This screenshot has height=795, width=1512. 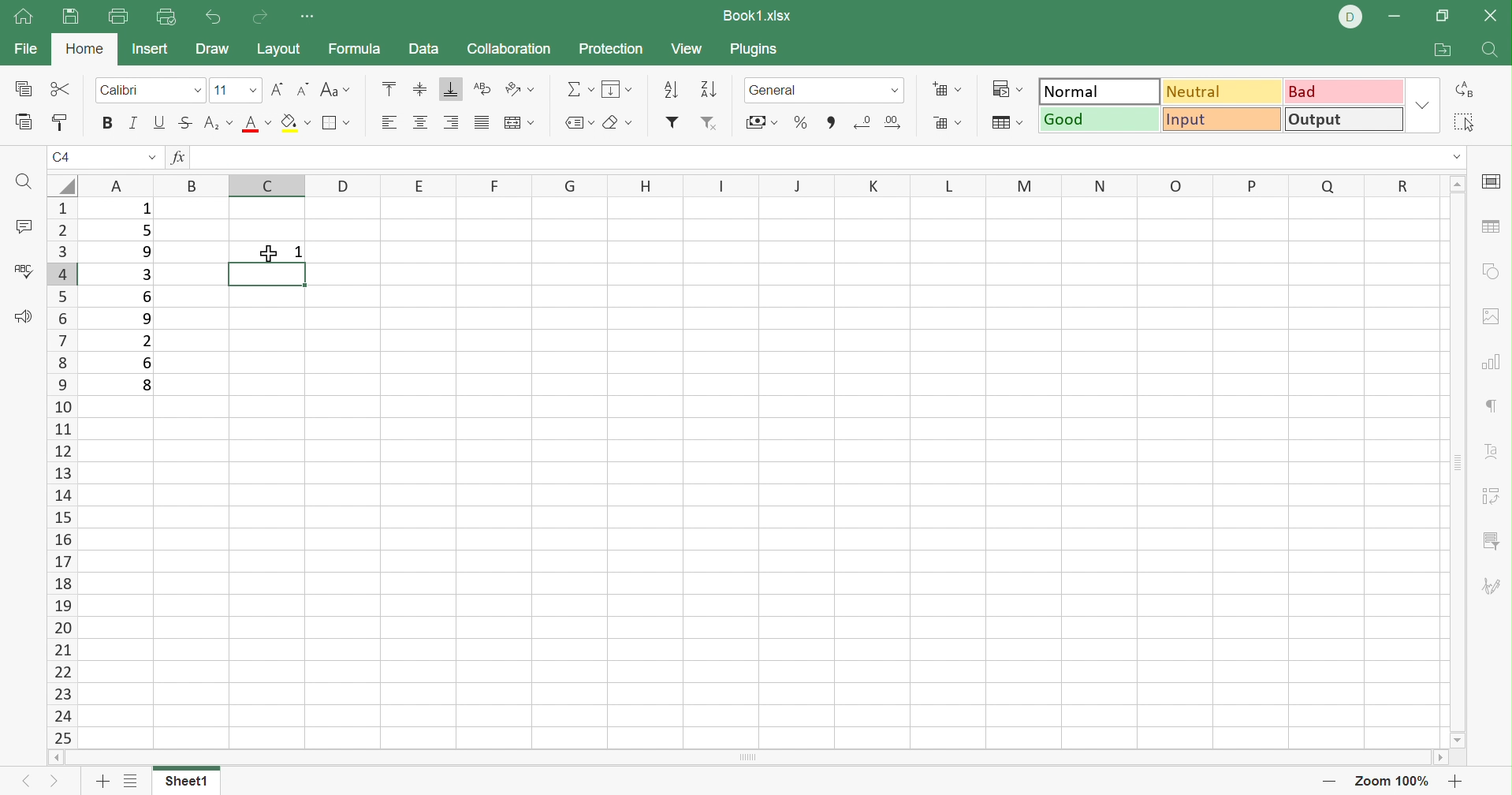 What do you see at coordinates (1004, 125) in the screenshot?
I see `Format as table template` at bounding box center [1004, 125].